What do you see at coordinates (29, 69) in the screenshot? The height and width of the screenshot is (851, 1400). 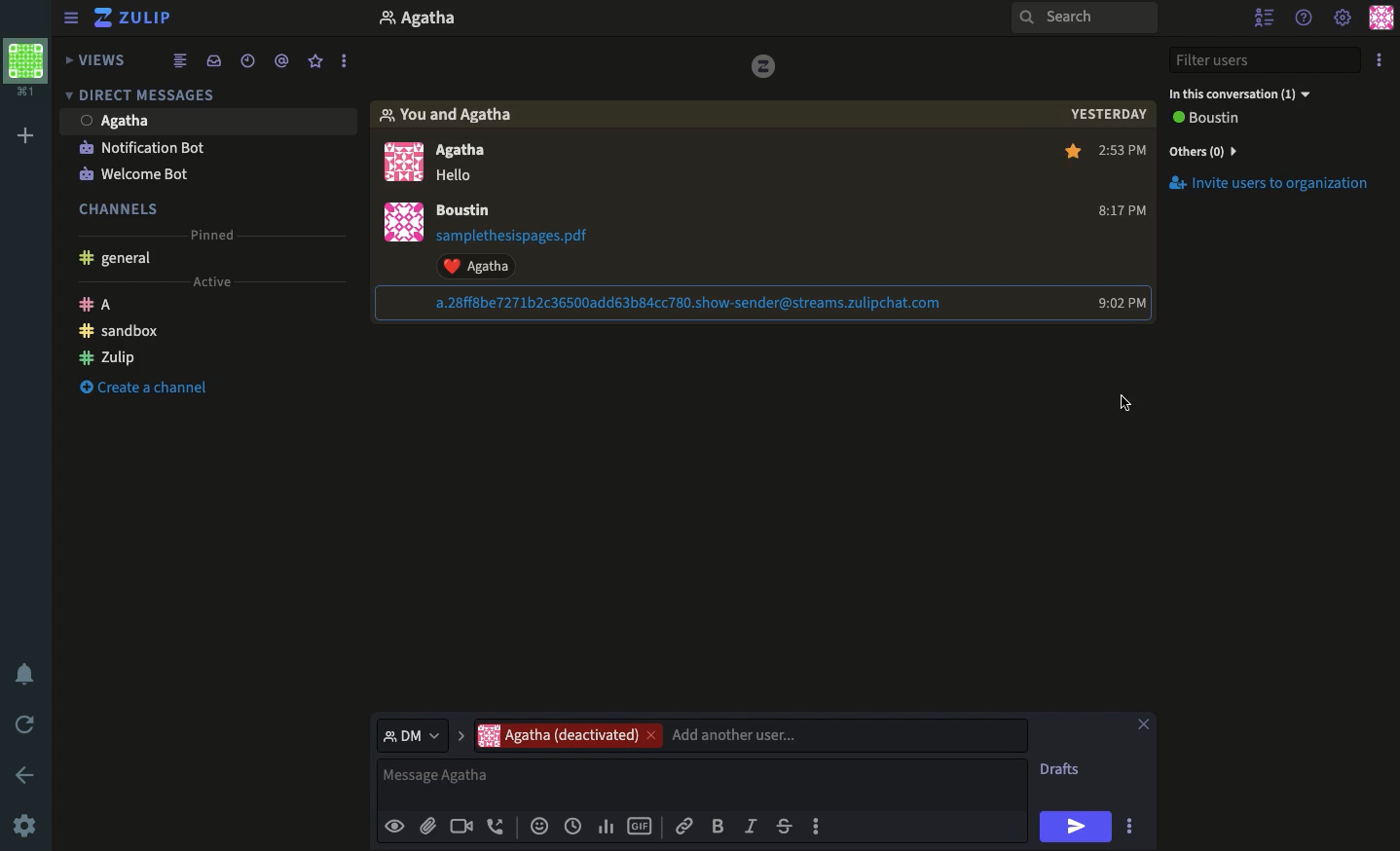 I see `Profile` at bounding box center [29, 69].